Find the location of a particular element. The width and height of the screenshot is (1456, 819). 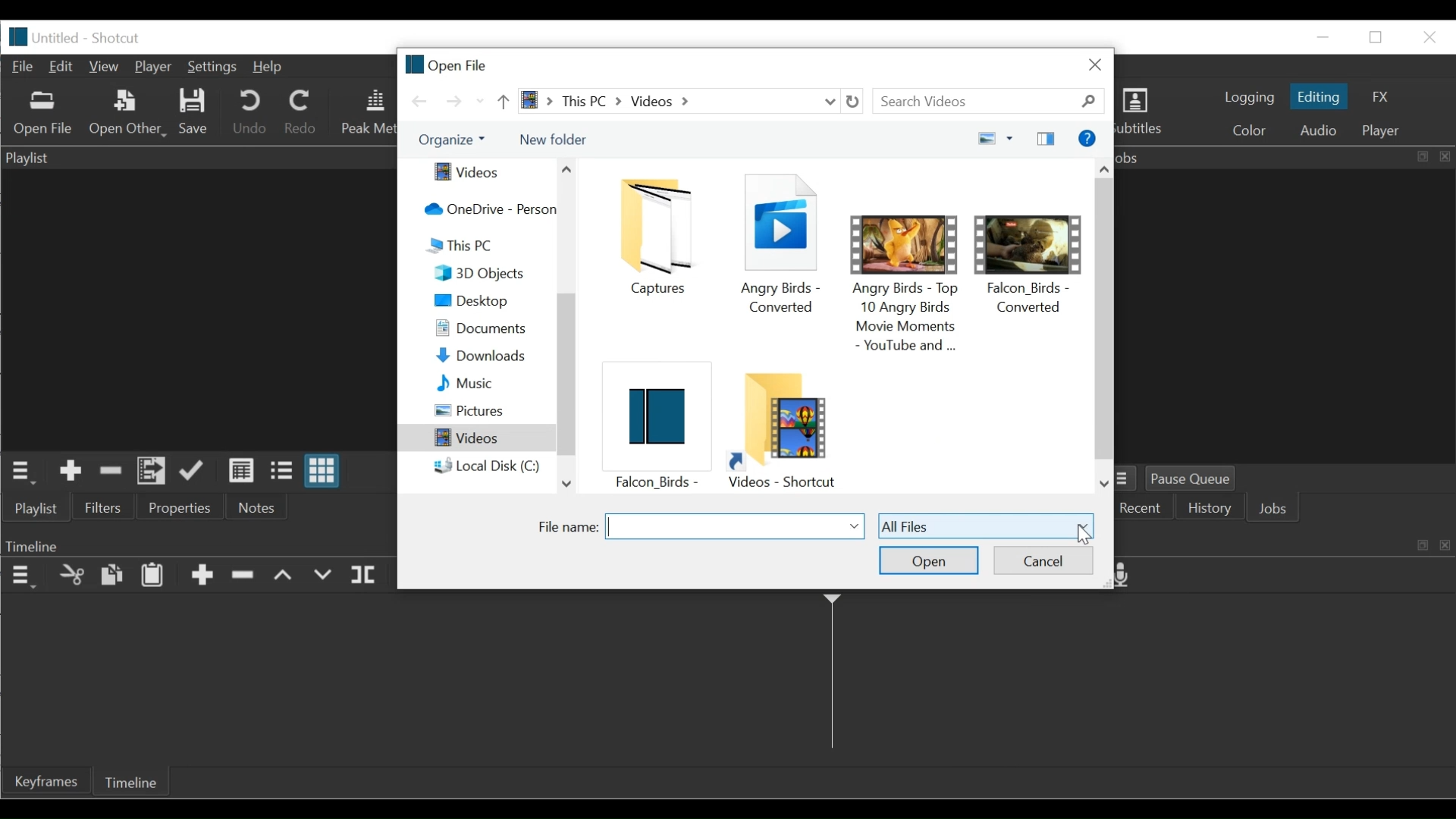

Timeline is located at coordinates (130, 781).